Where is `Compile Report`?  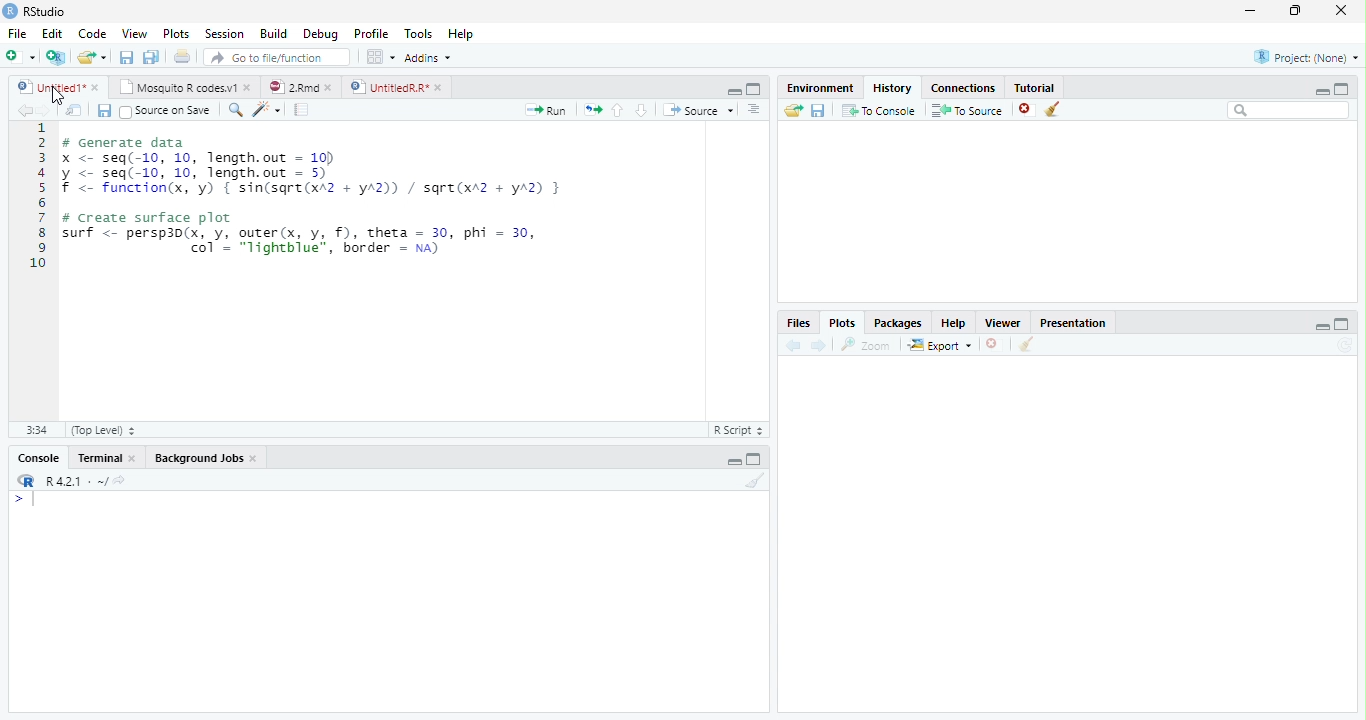 Compile Report is located at coordinates (301, 109).